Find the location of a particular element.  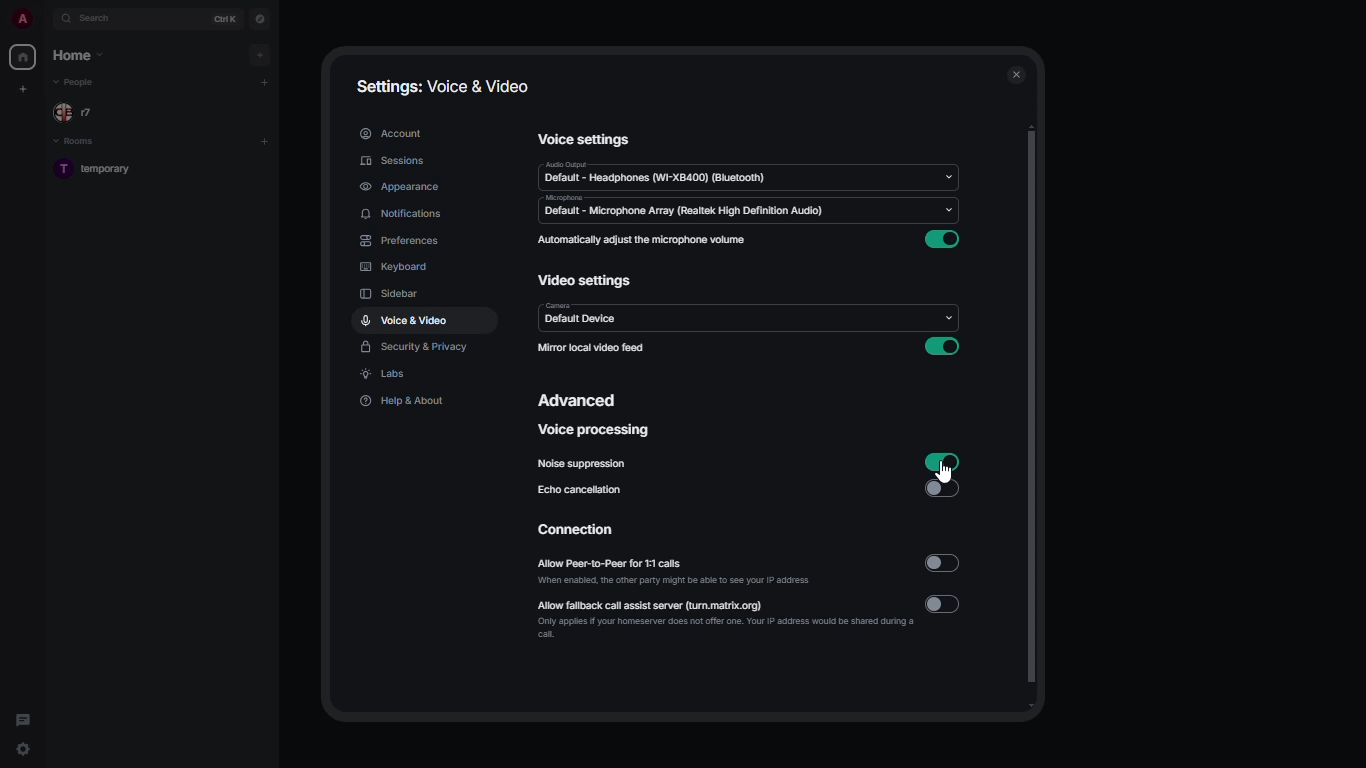

settings: voice & video is located at coordinates (447, 87).